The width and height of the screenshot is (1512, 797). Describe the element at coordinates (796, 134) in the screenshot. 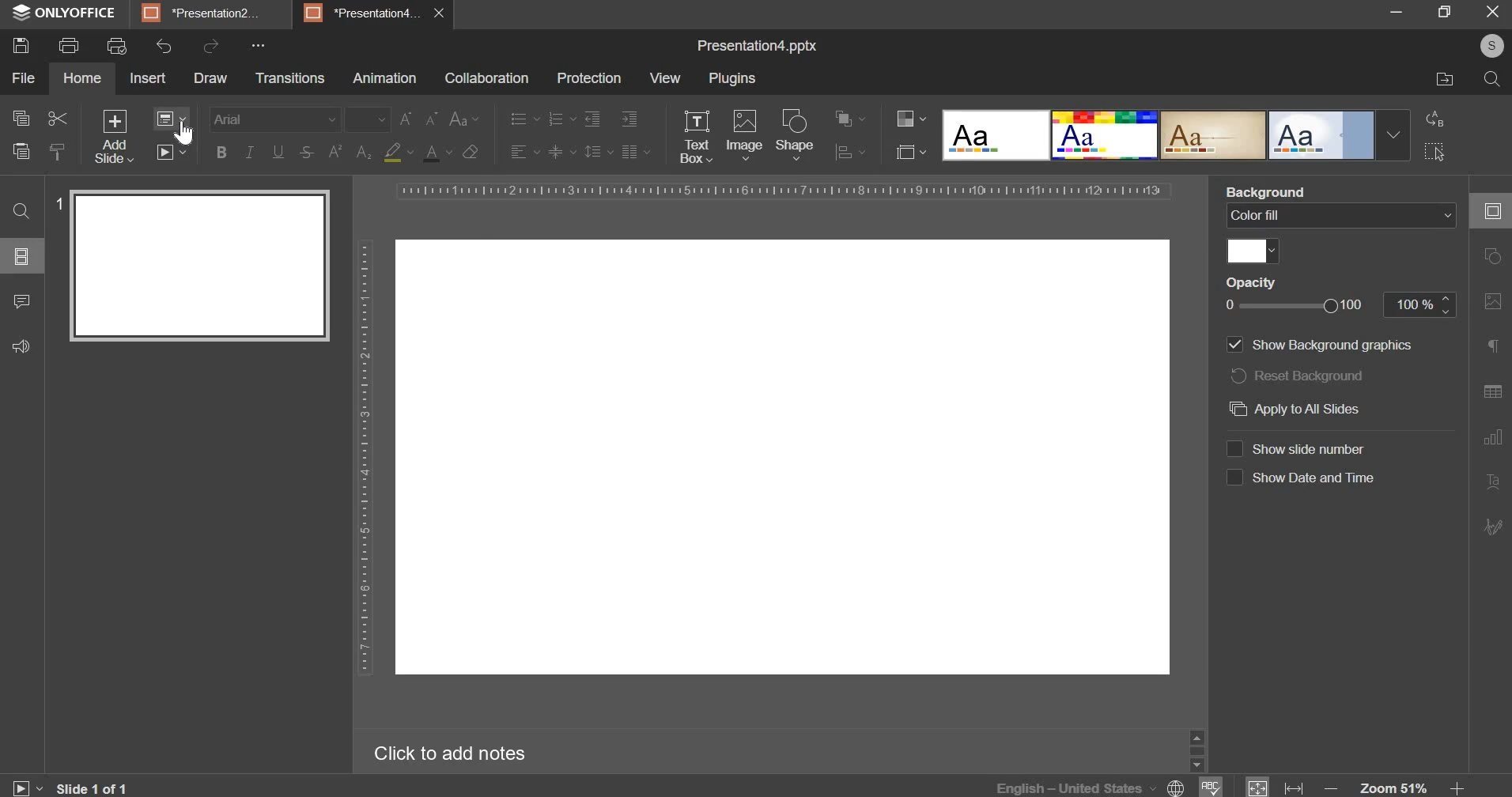

I see `shape` at that location.